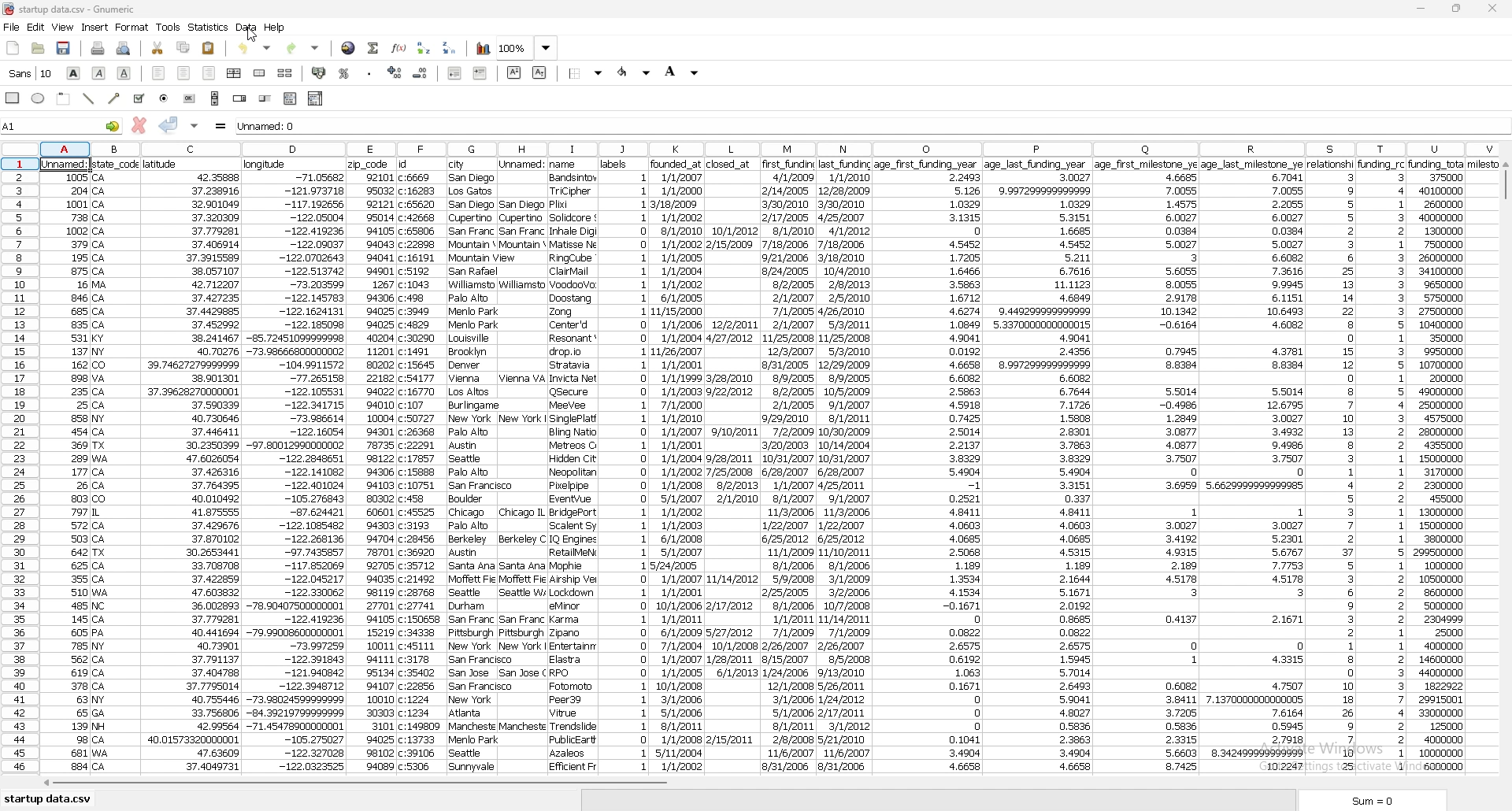  Describe the element at coordinates (209, 27) in the screenshot. I see `STATISTICS` at that location.